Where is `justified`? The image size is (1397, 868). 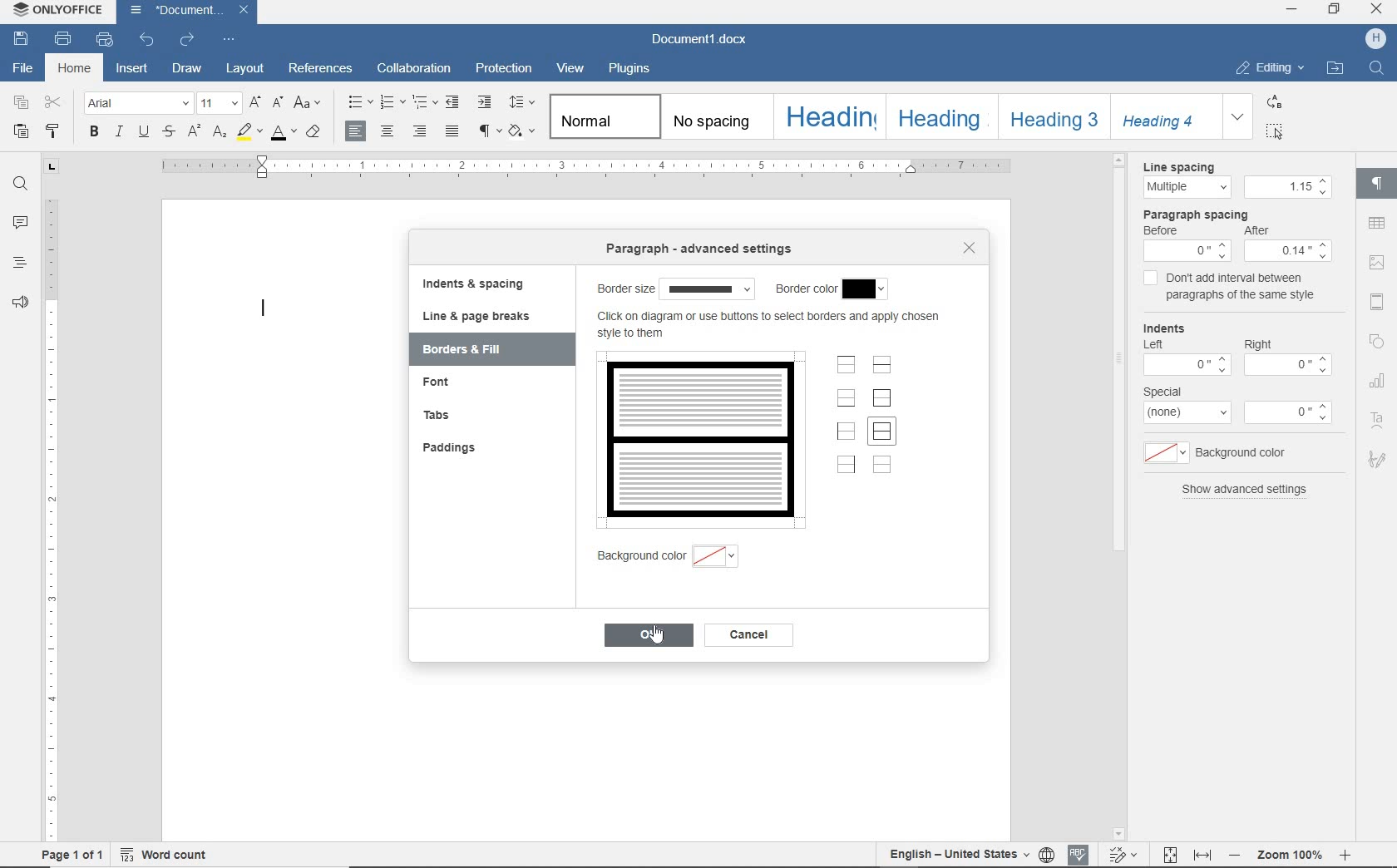 justified is located at coordinates (452, 131).